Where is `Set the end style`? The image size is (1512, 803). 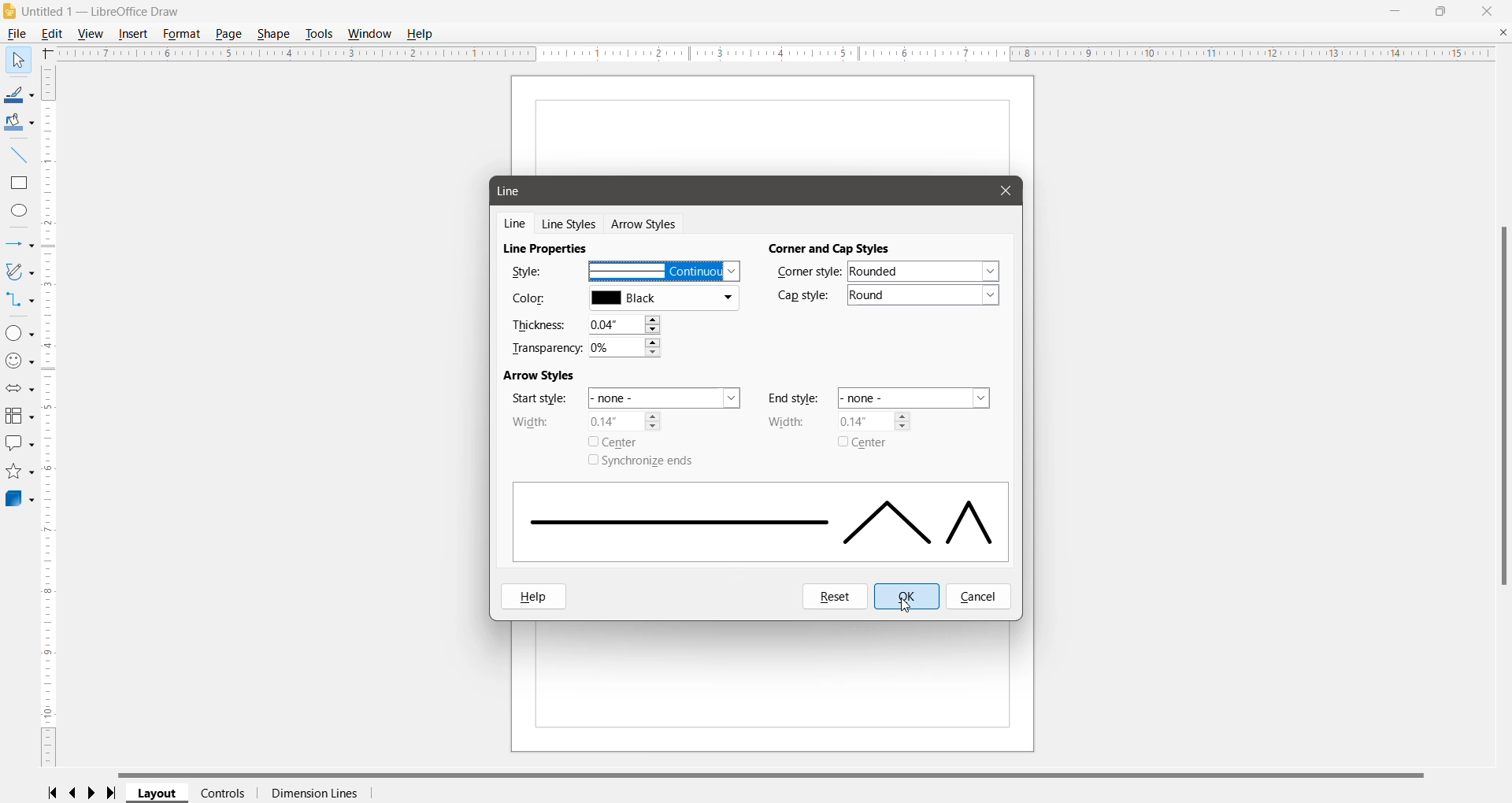
Set the end style is located at coordinates (914, 398).